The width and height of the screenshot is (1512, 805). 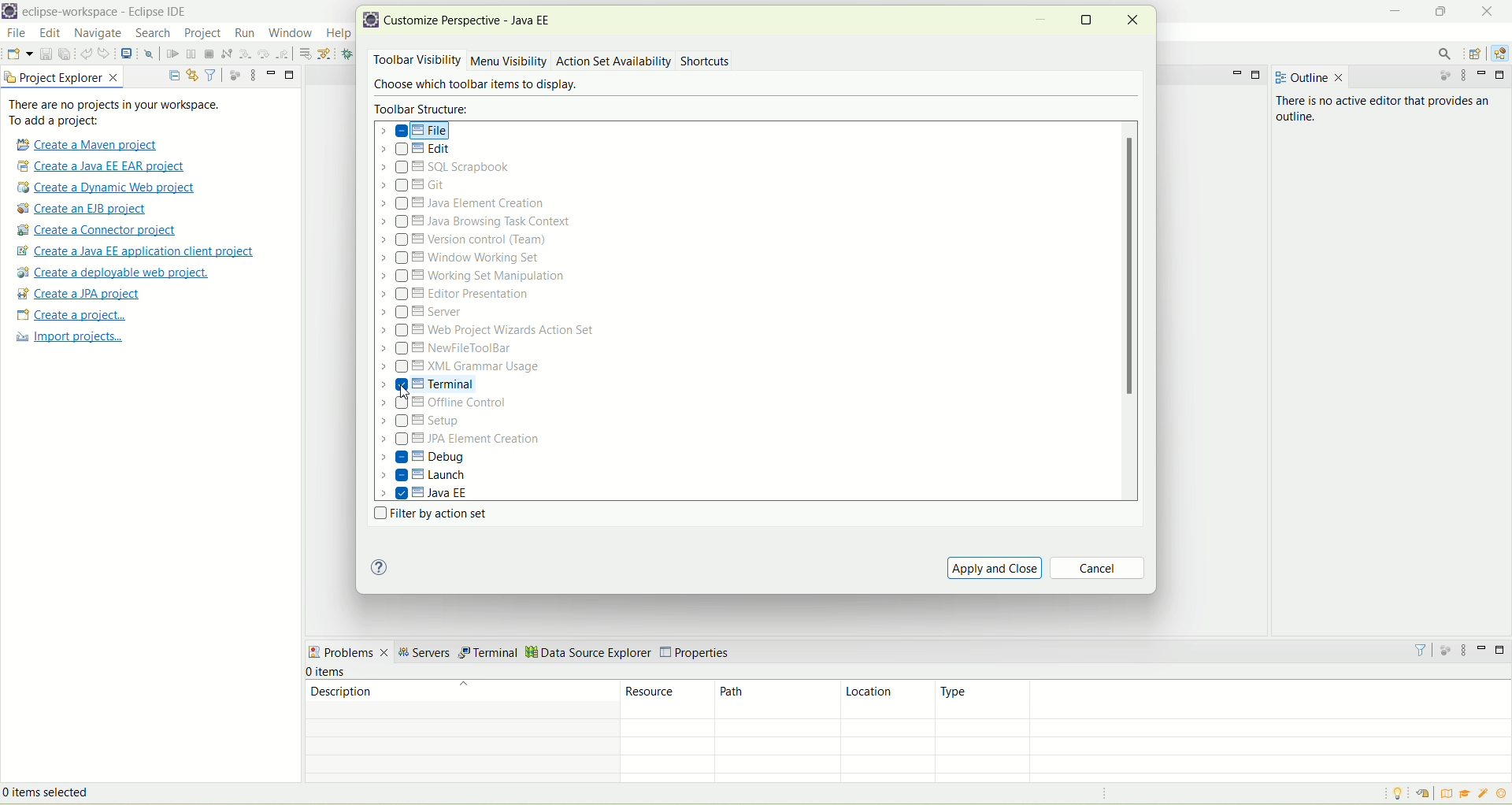 I want to click on open a terminal, so click(x=126, y=54).